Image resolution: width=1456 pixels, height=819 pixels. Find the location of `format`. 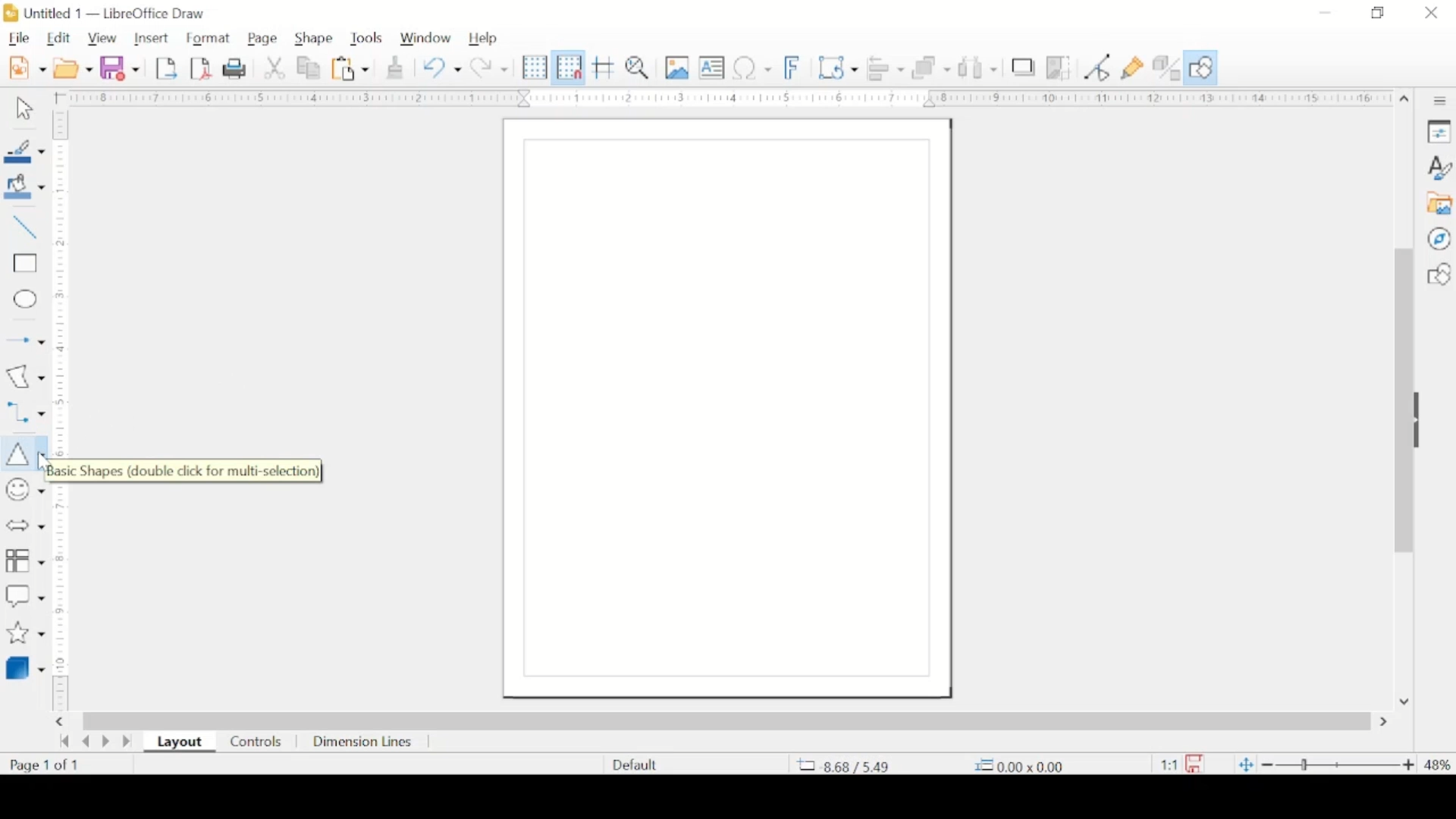

format is located at coordinates (207, 38).